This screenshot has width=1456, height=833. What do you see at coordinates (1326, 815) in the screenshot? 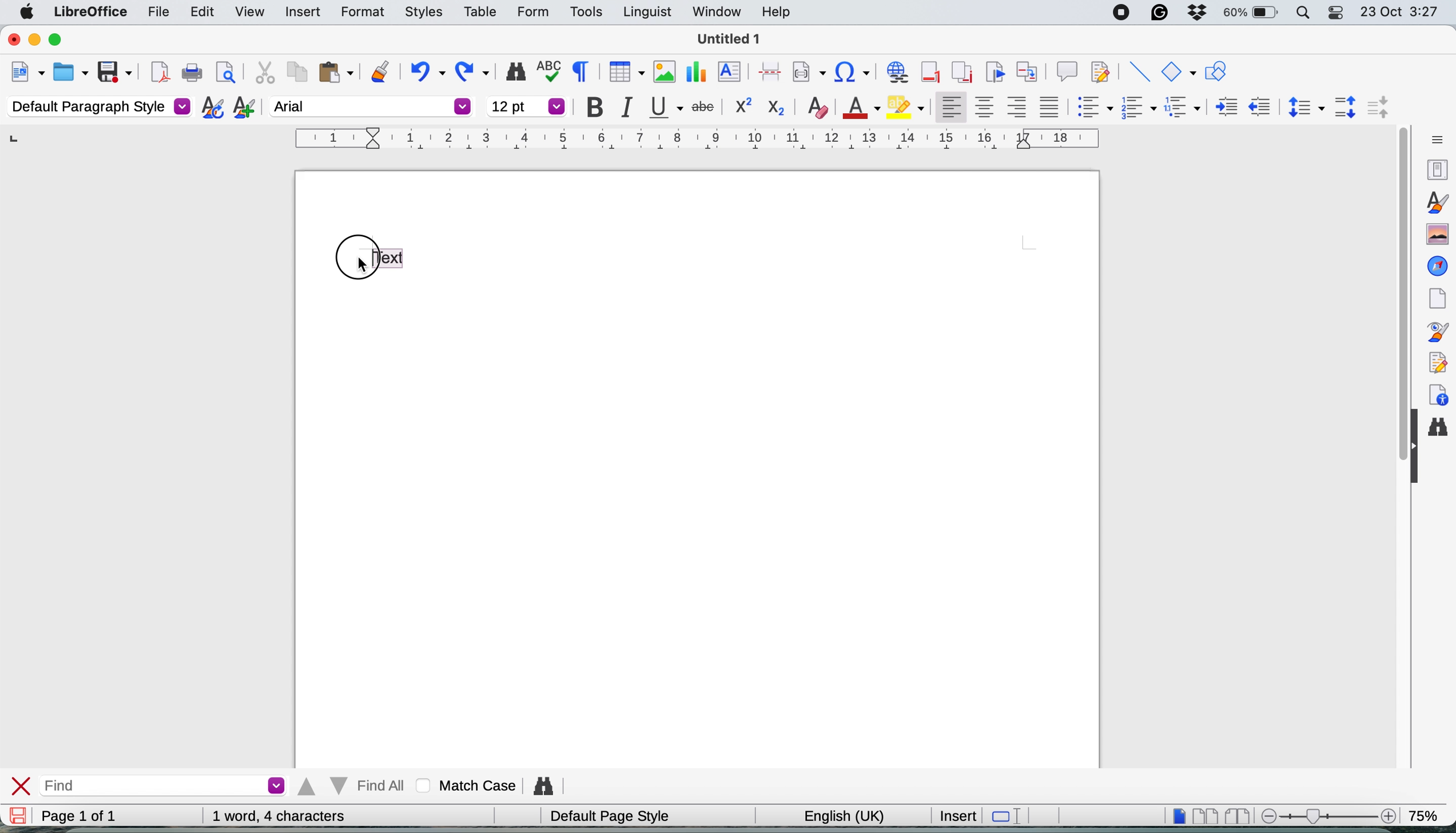
I see `zoom scale` at bounding box center [1326, 815].